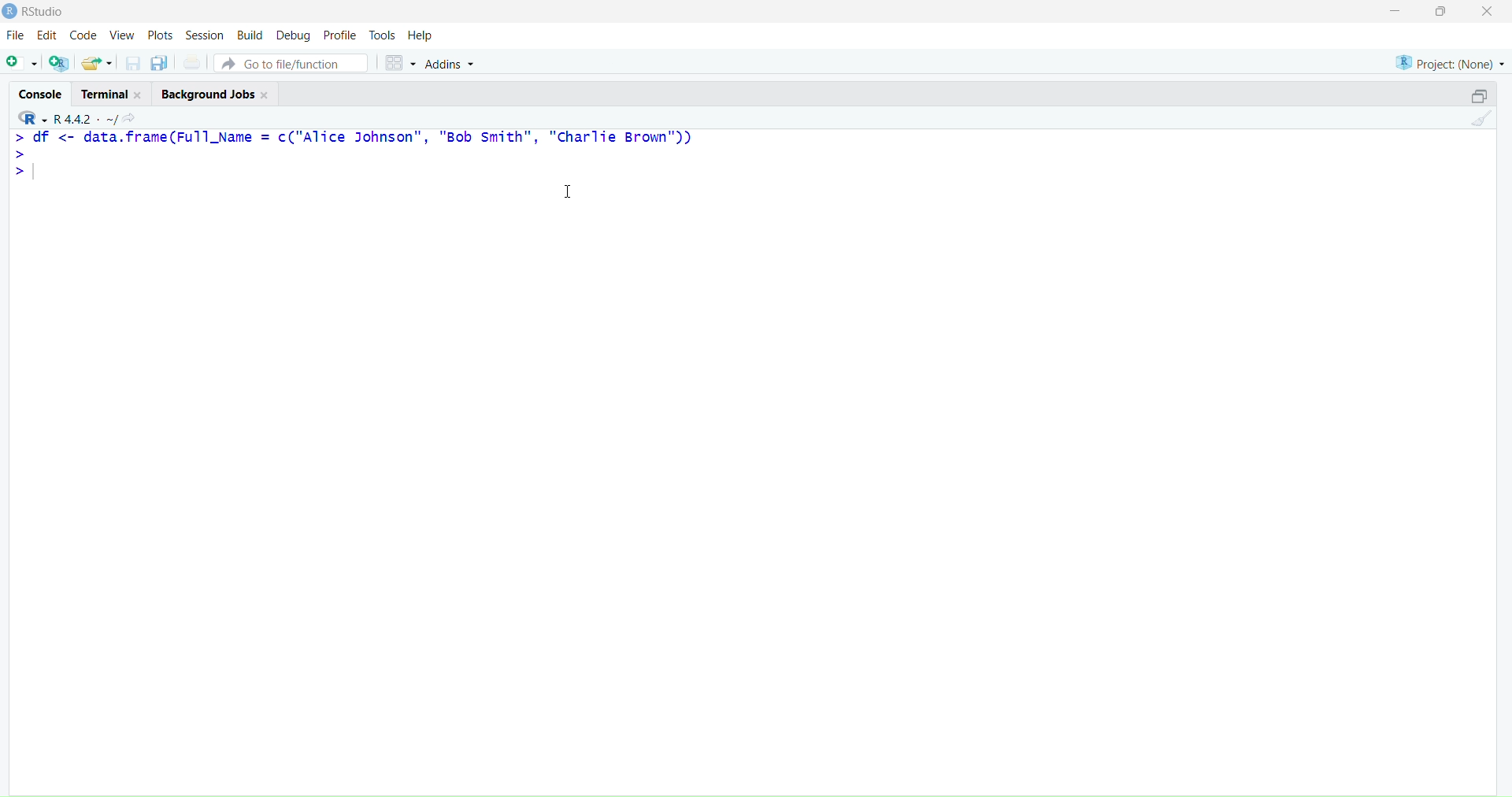 Image resolution: width=1512 pixels, height=797 pixels. What do you see at coordinates (60, 63) in the screenshot?
I see `Create a project` at bounding box center [60, 63].